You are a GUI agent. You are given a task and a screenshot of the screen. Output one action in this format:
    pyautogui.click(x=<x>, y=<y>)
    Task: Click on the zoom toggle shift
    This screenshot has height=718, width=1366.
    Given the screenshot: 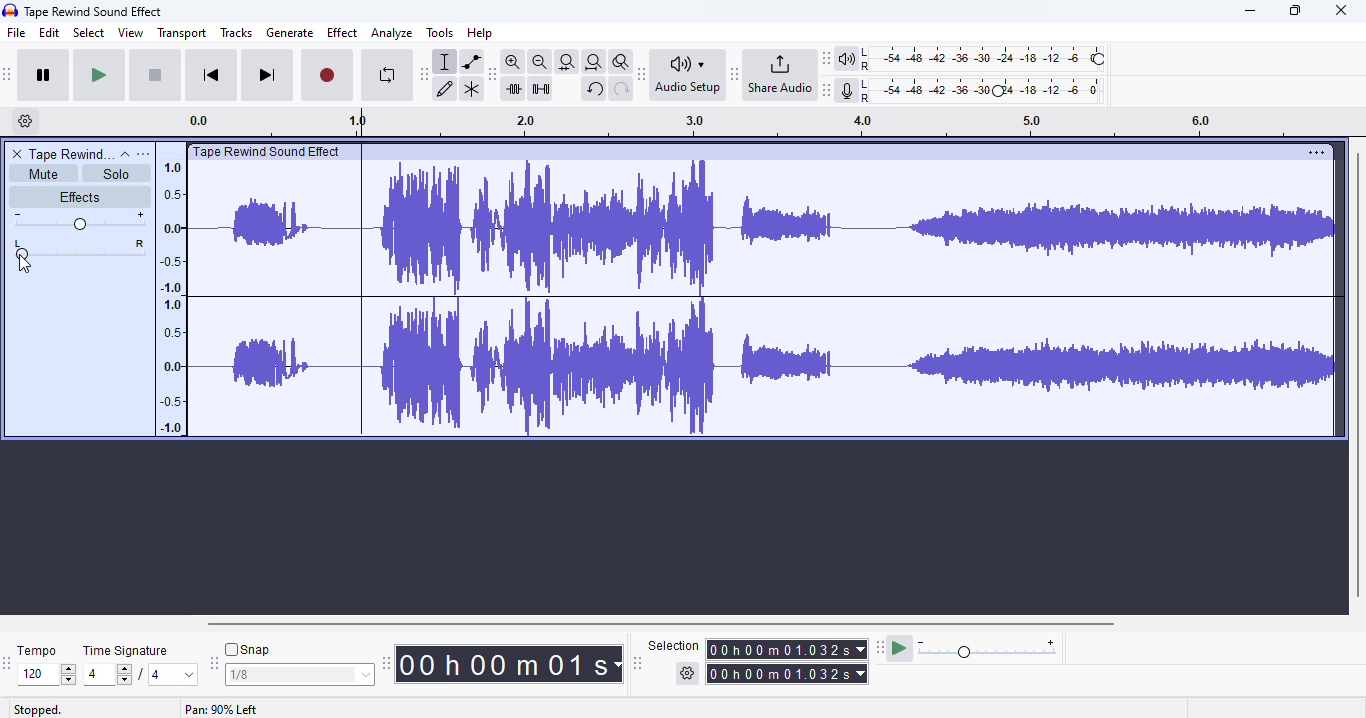 What is the action you would take?
    pyautogui.click(x=622, y=62)
    